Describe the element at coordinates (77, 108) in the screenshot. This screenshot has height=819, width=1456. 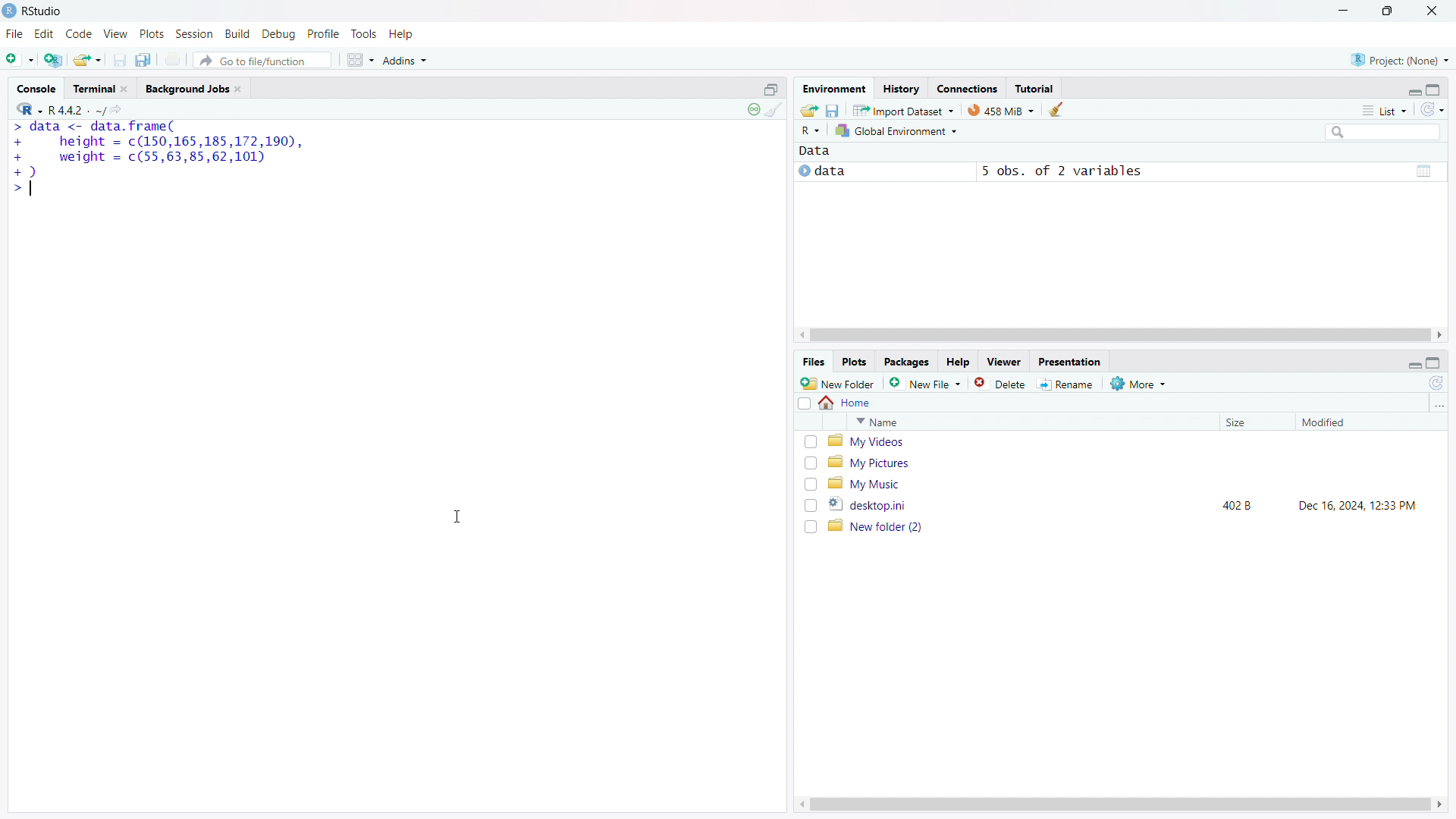
I see `R 4.4.2 . ~/` at that location.